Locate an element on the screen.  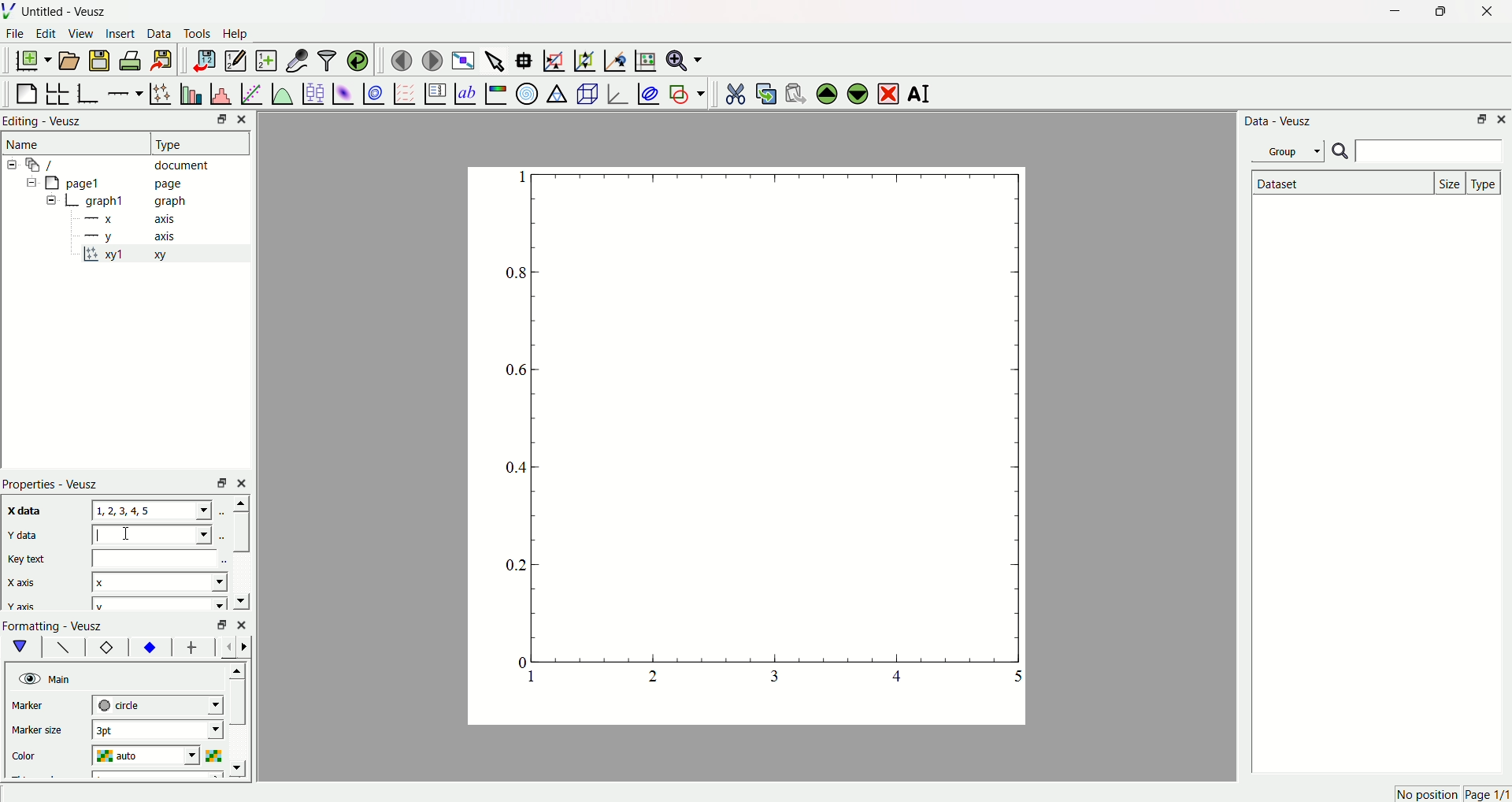
plot box plots is located at coordinates (313, 91).